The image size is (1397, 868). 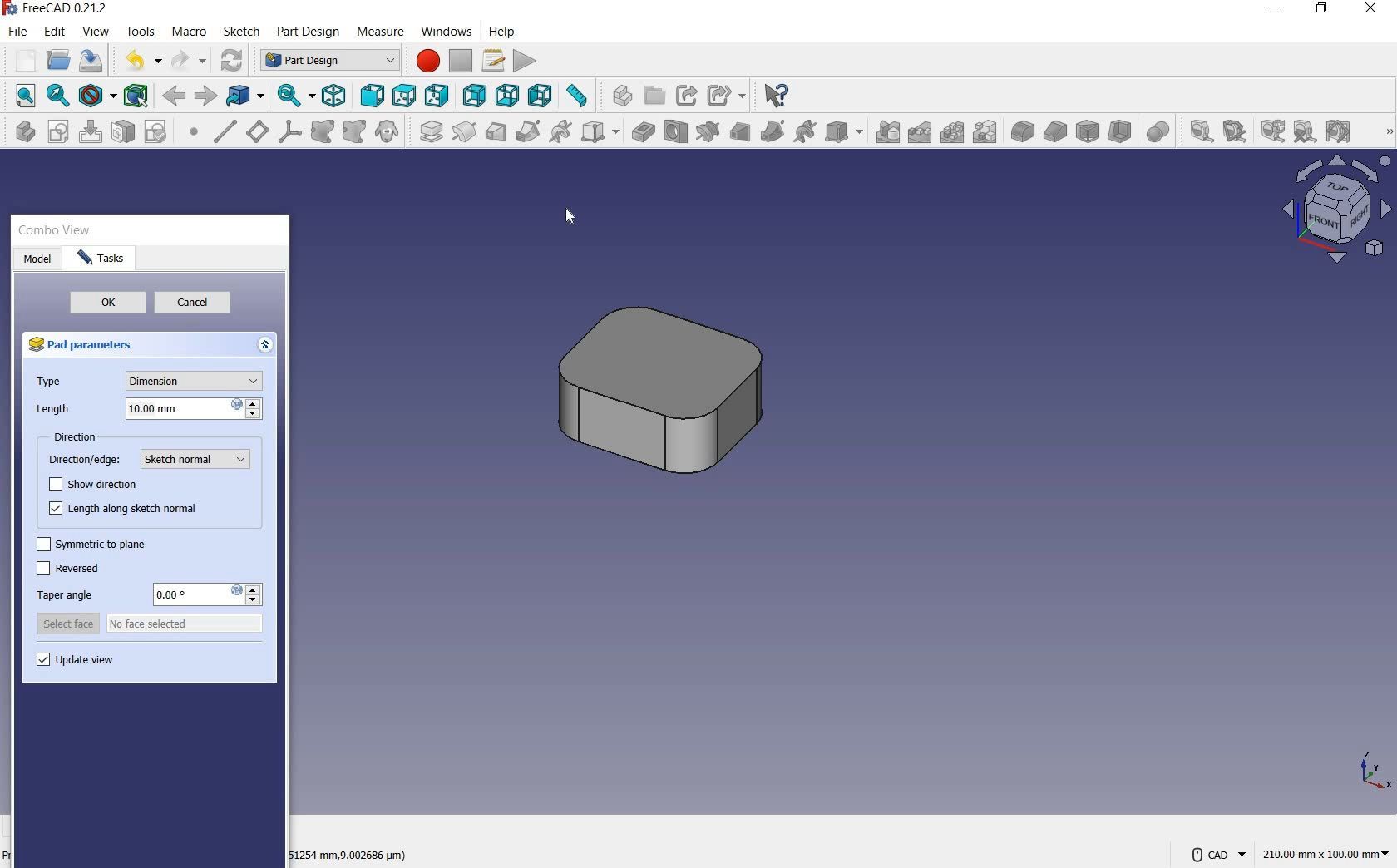 What do you see at coordinates (175, 95) in the screenshot?
I see `forward` at bounding box center [175, 95].